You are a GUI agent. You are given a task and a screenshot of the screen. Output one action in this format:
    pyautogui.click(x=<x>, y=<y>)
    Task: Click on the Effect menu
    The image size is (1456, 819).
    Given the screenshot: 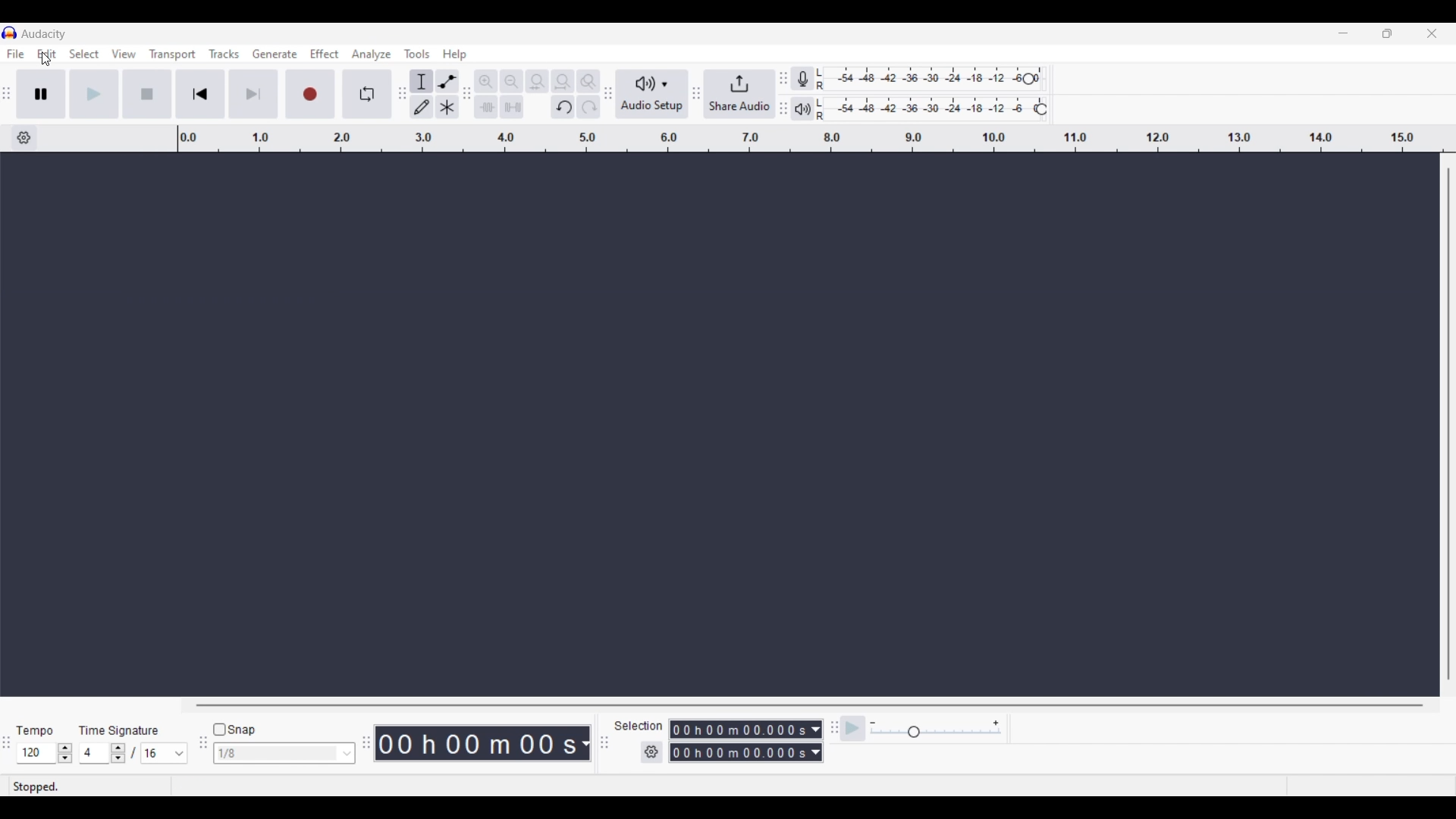 What is the action you would take?
    pyautogui.click(x=325, y=54)
    